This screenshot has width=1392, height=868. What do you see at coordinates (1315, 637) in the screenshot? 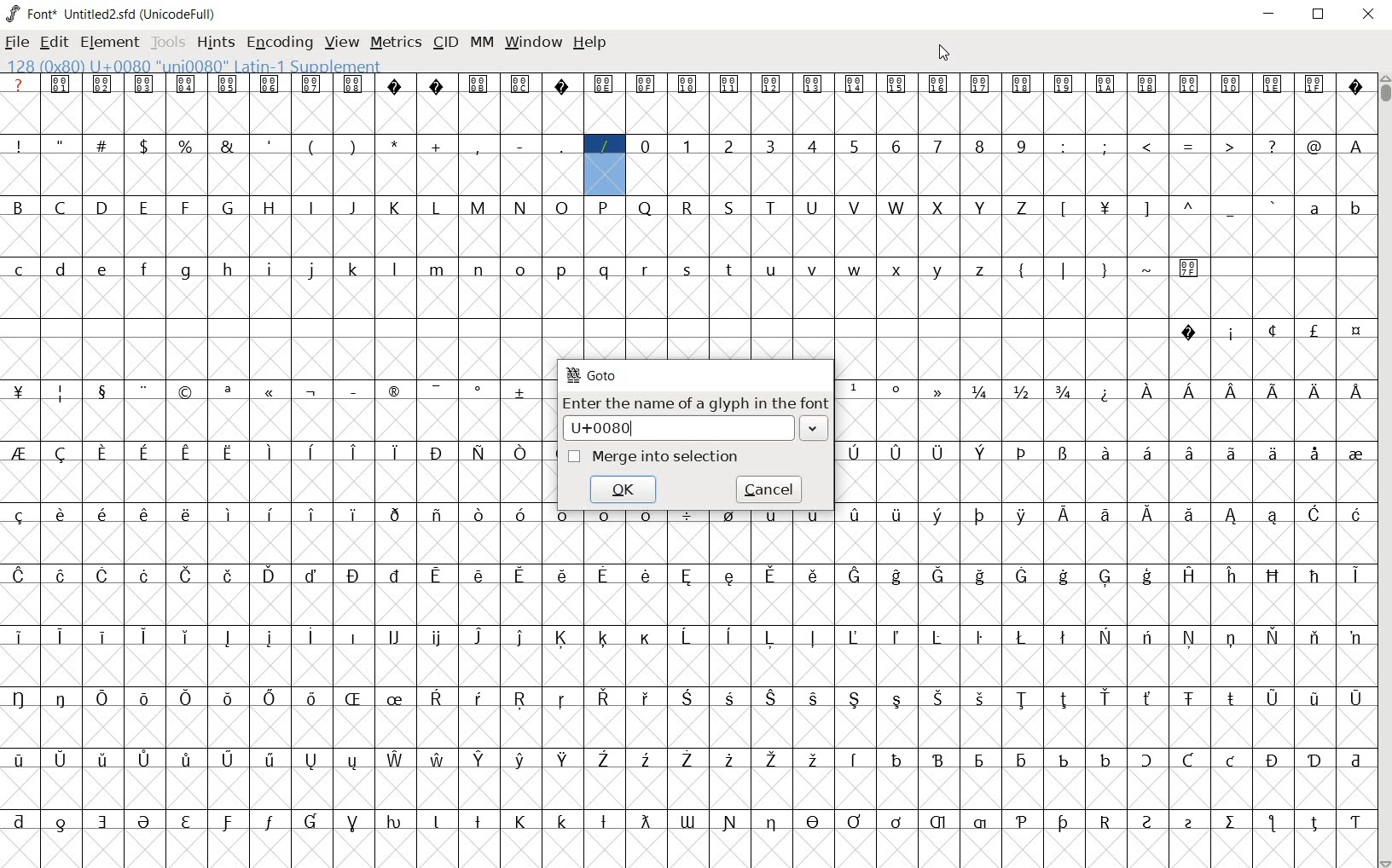
I see `glyph` at bounding box center [1315, 637].